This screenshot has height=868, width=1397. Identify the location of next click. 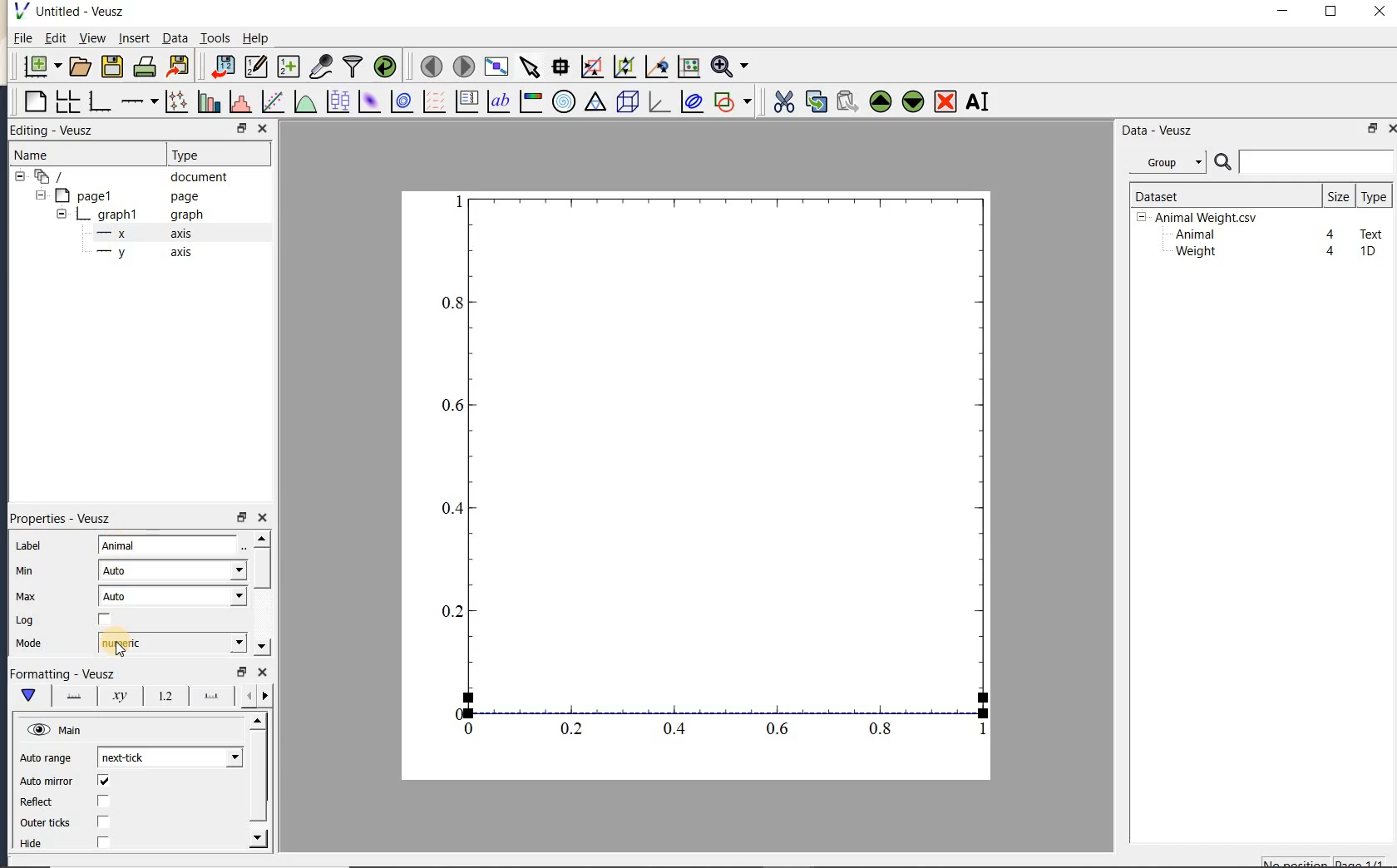
(170, 757).